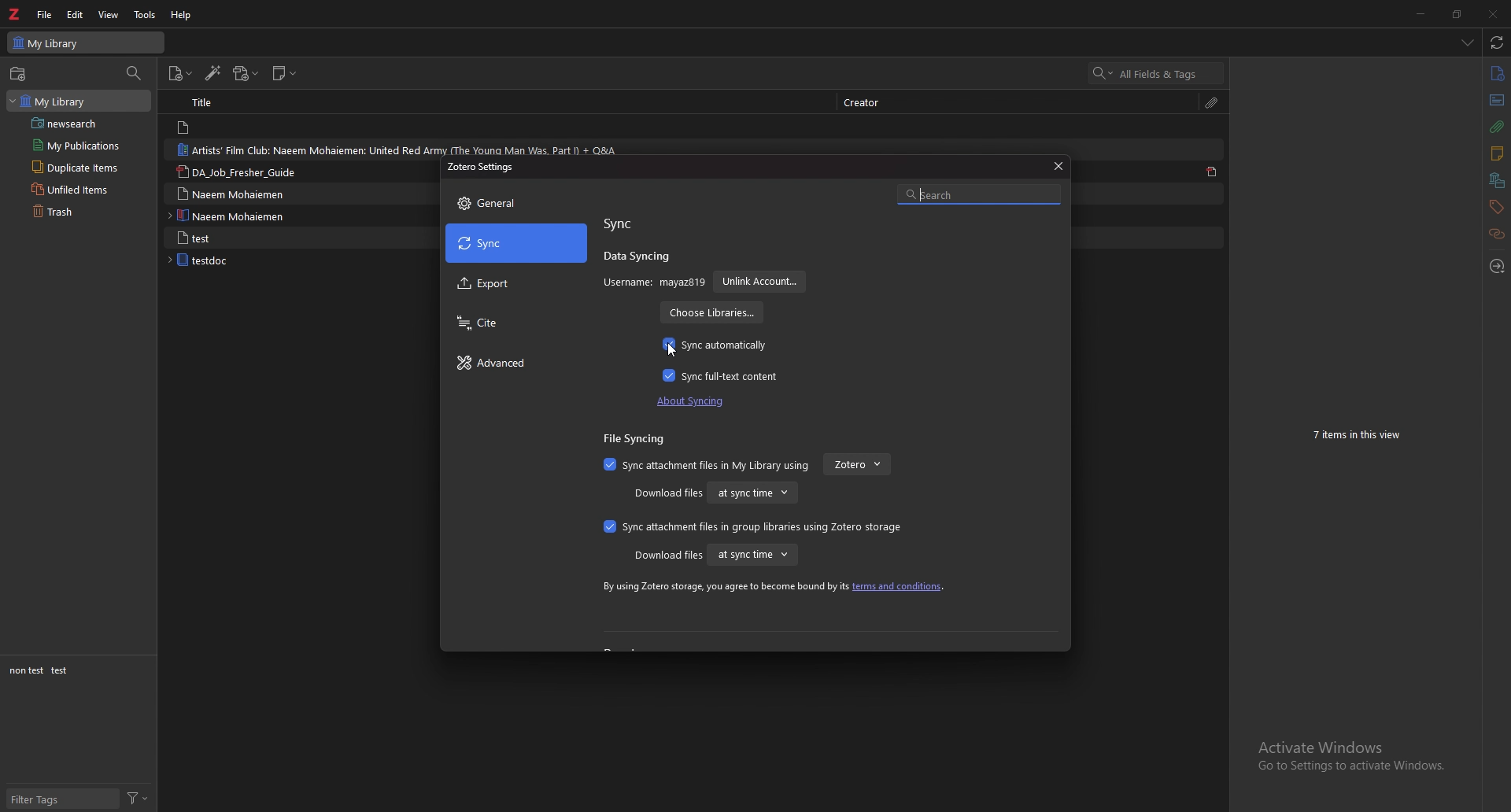 The height and width of the screenshot is (812, 1511). What do you see at coordinates (83, 167) in the screenshot?
I see `duplicate items` at bounding box center [83, 167].